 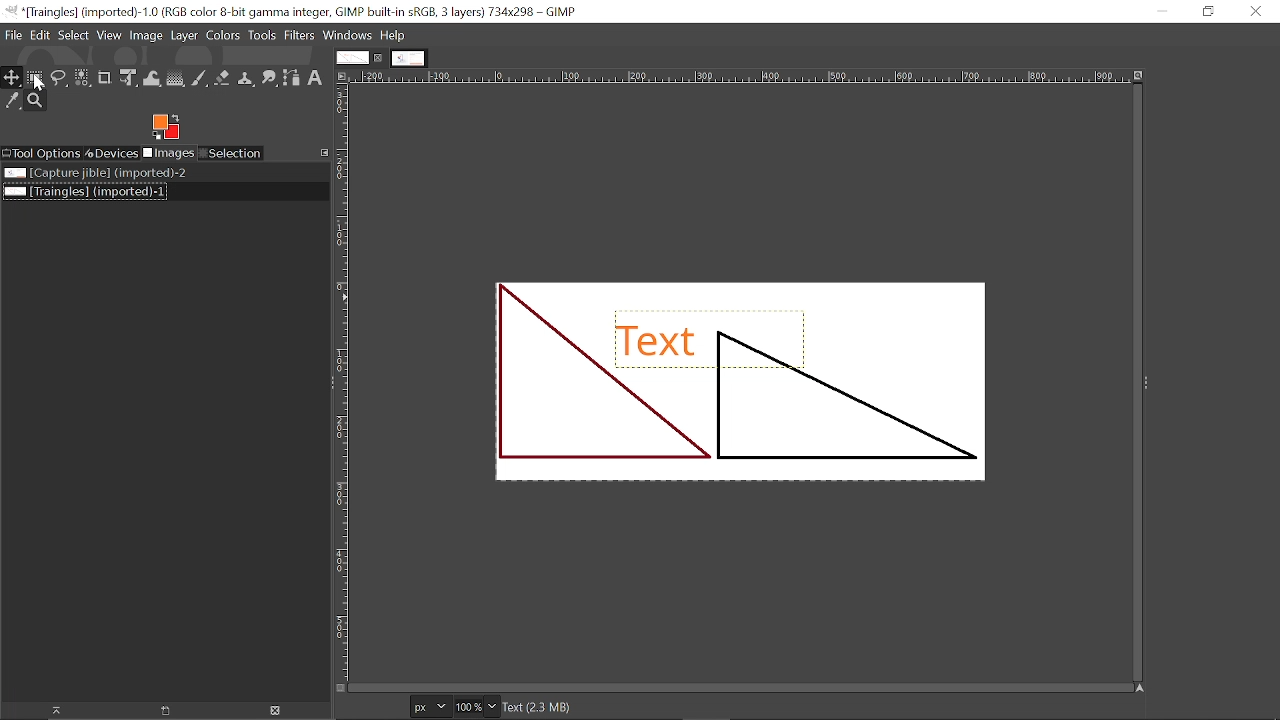 I want to click on Imges, so click(x=168, y=153).